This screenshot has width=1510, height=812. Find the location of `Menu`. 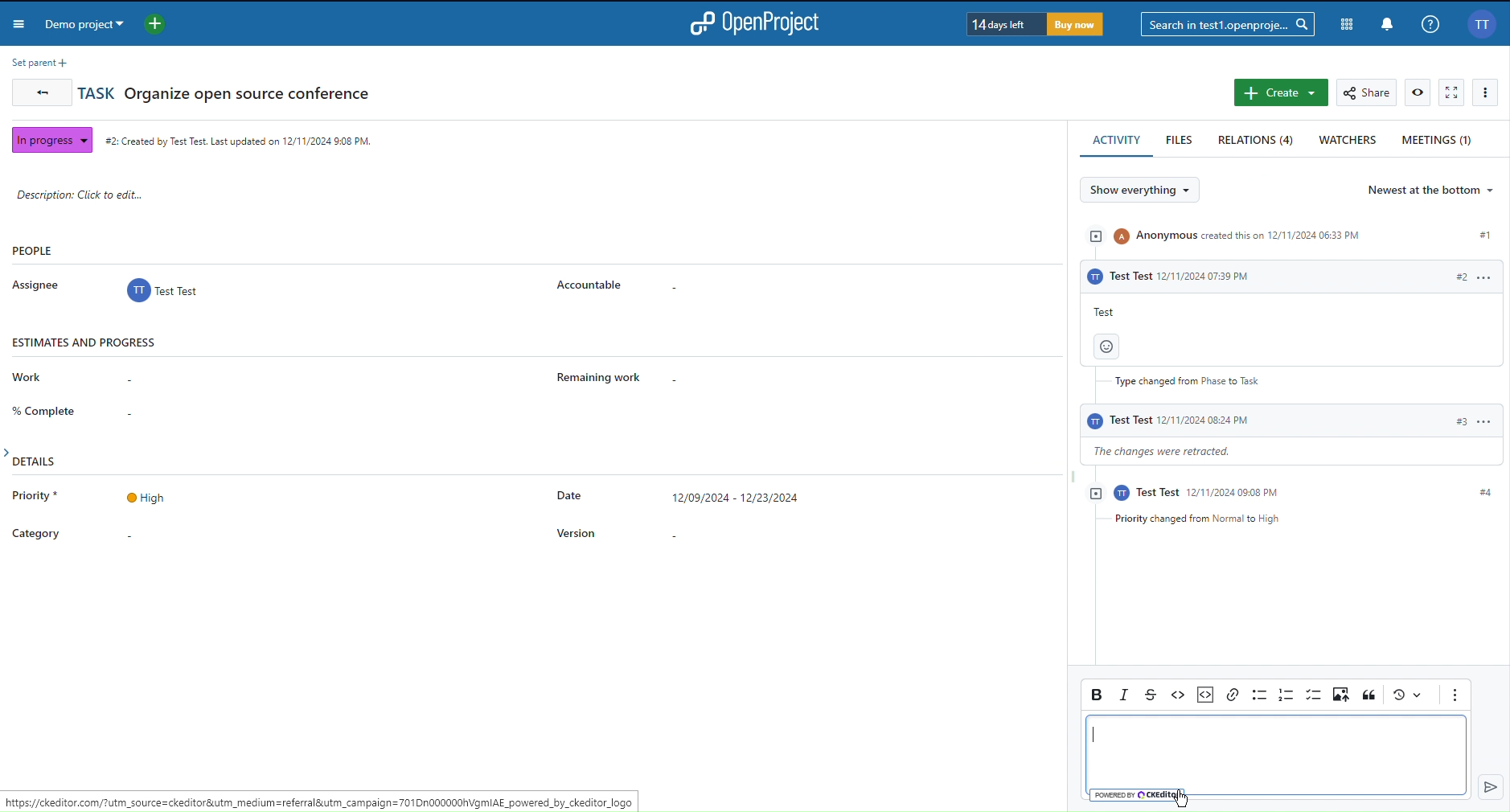

Menu is located at coordinates (21, 26).